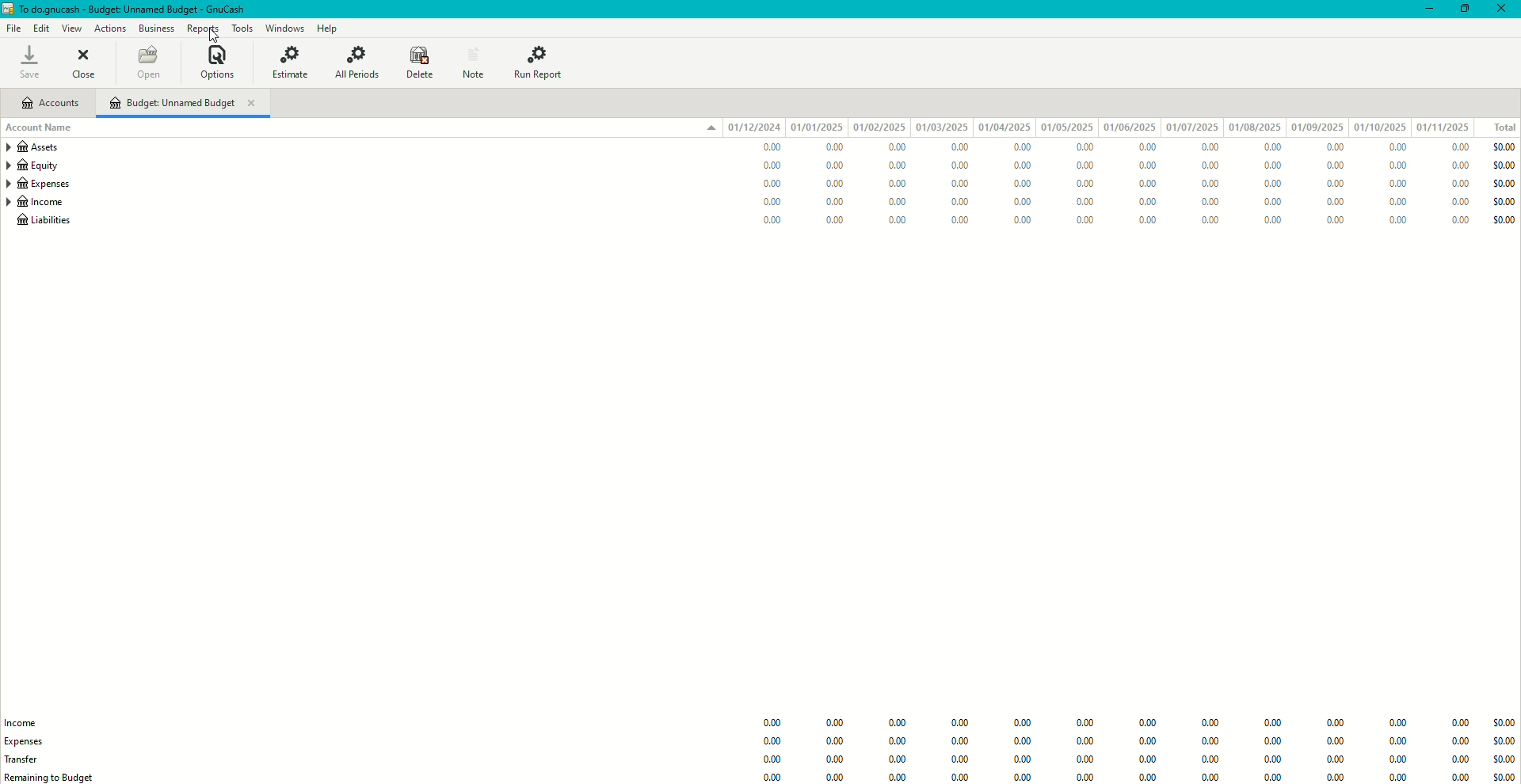  What do you see at coordinates (1207, 220) in the screenshot?
I see `0.00` at bounding box center [1207, 220].